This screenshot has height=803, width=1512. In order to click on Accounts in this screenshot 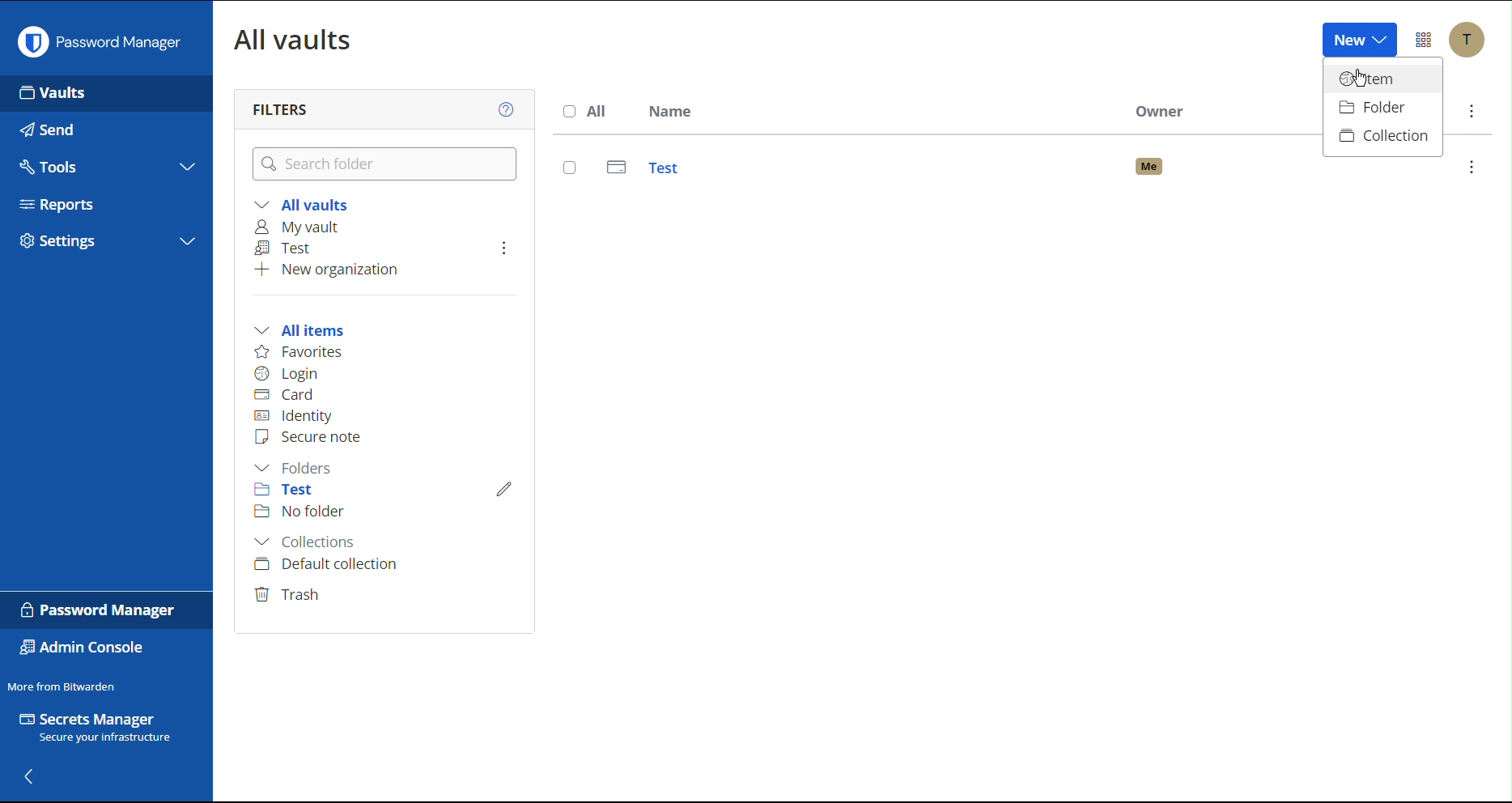, I will do `click(1467, 40)`.